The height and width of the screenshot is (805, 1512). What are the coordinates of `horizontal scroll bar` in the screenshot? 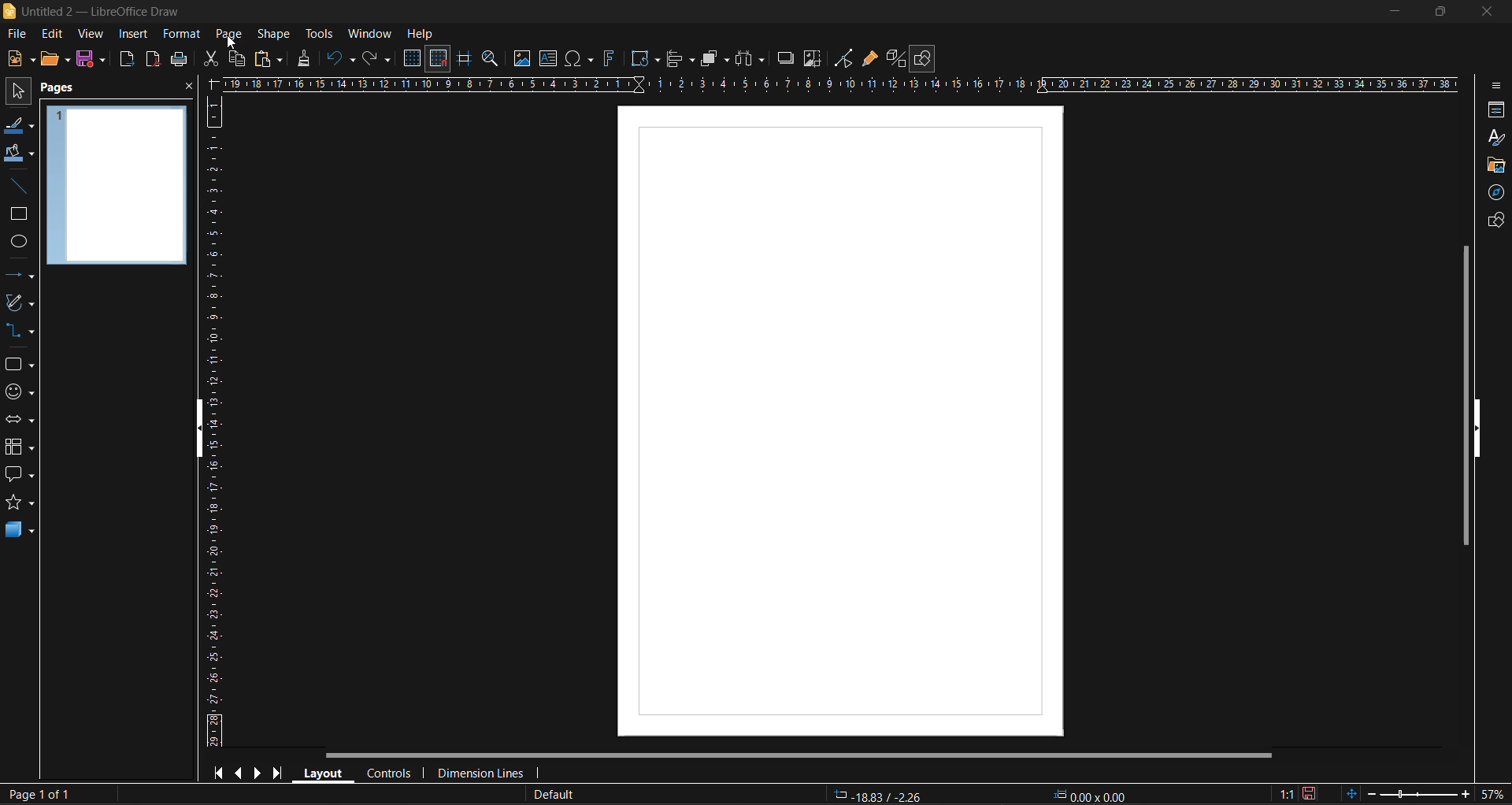 It's located at (801, 755).